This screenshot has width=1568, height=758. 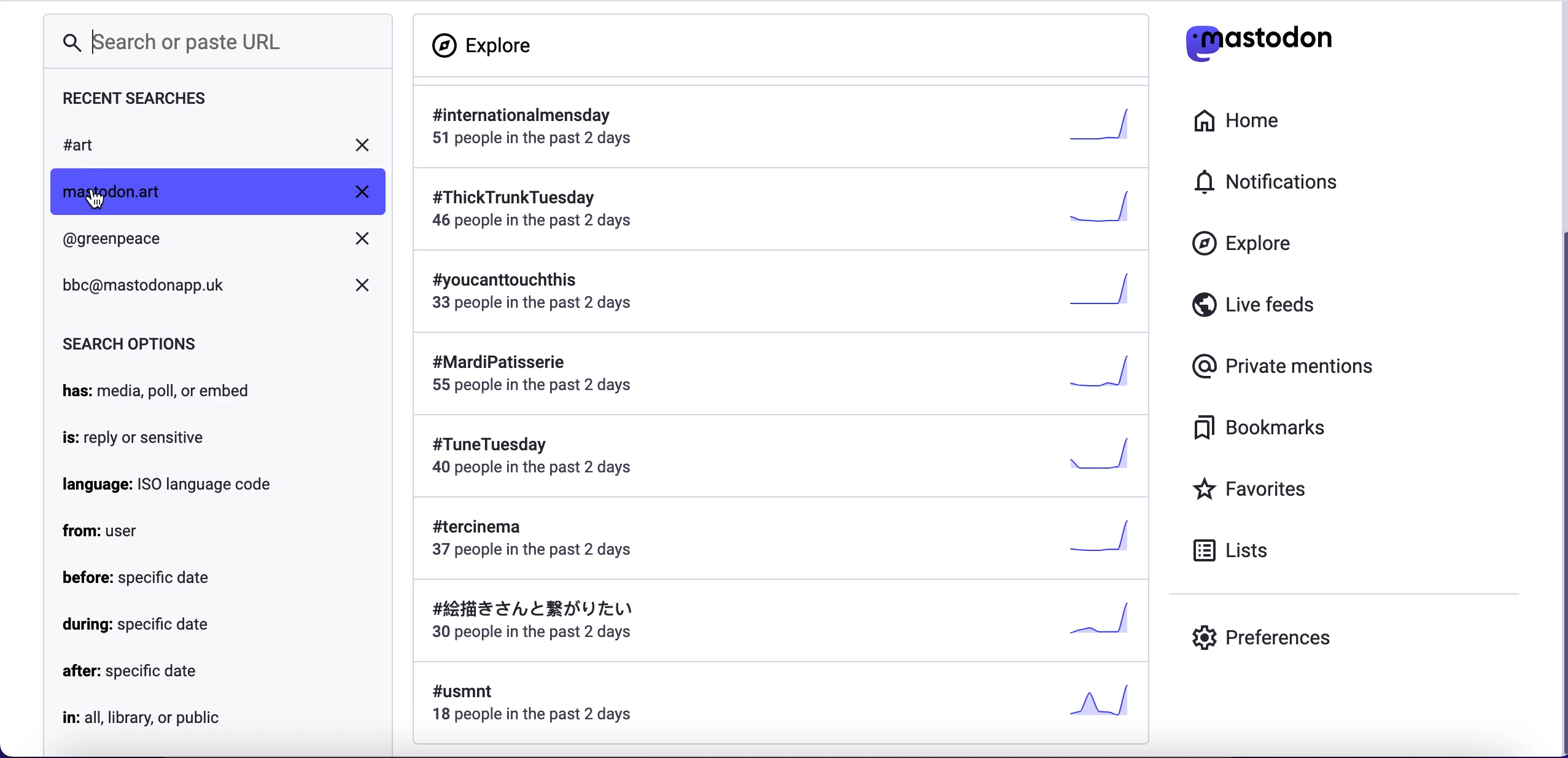 I want to click on language: ISO language code, so click(x=169, y=485).